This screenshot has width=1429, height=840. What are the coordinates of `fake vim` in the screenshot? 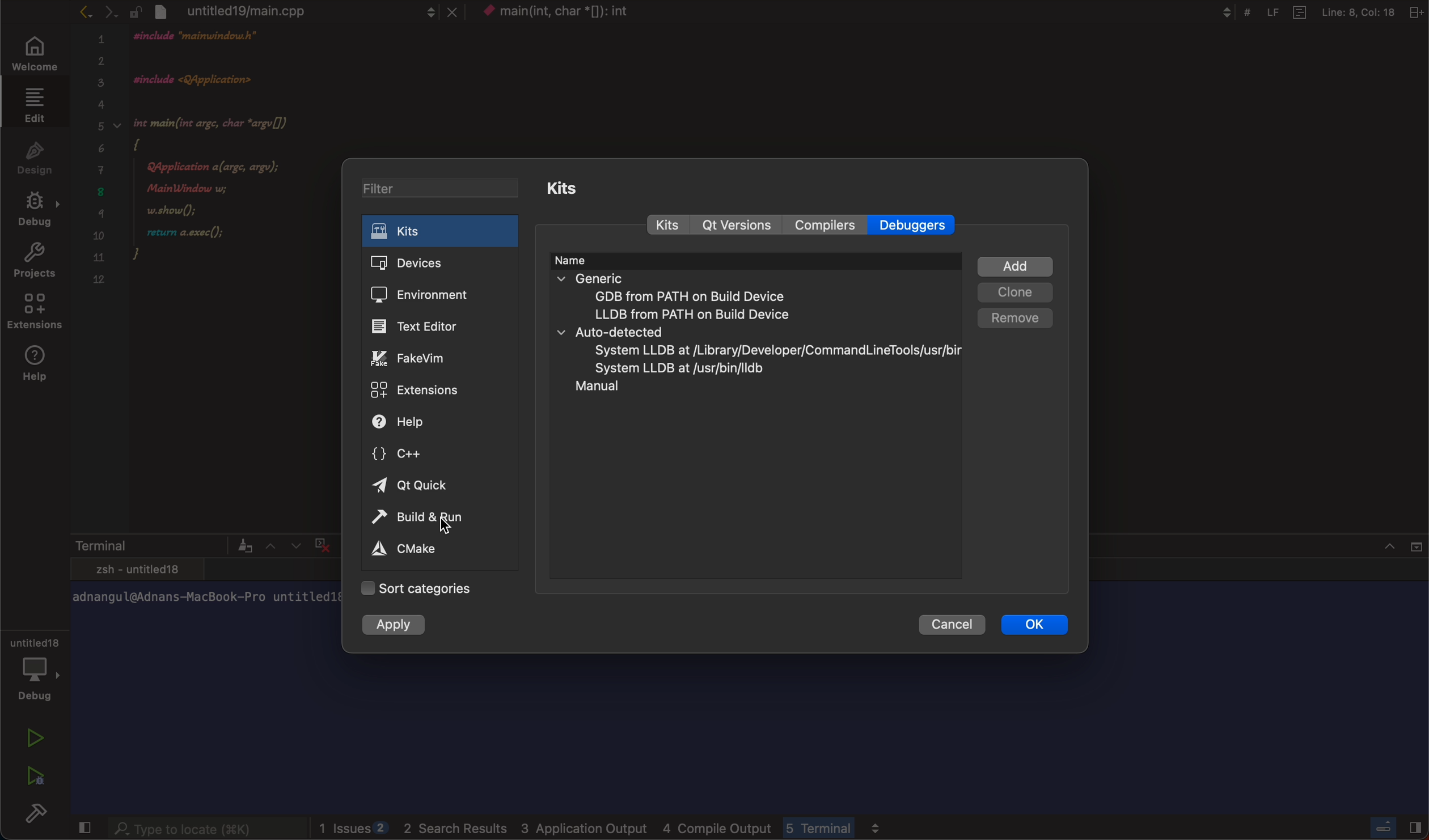 It's located at (424, 359).